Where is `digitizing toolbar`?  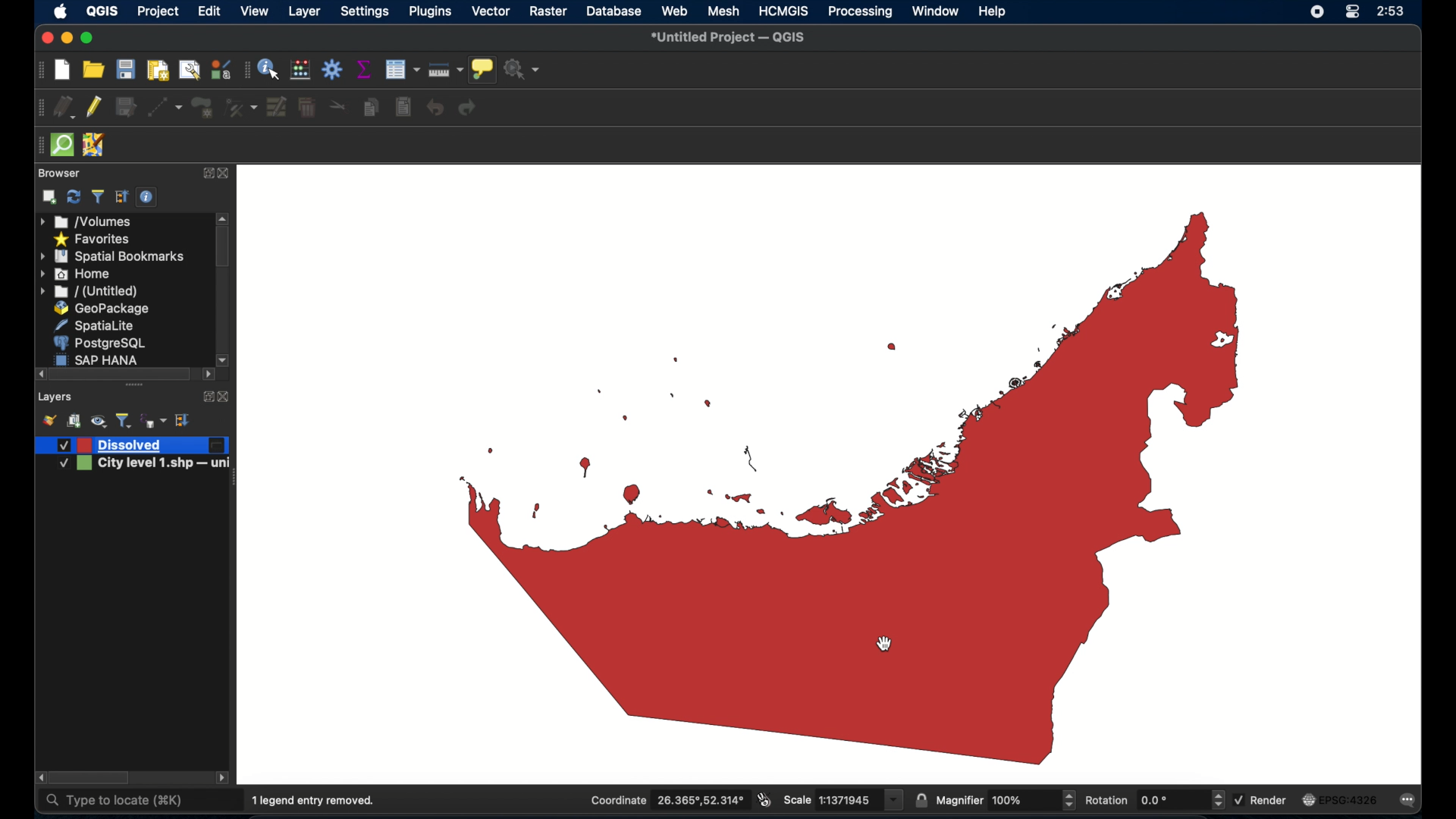
digitizing toolbar is located at coordinates (41, 108).